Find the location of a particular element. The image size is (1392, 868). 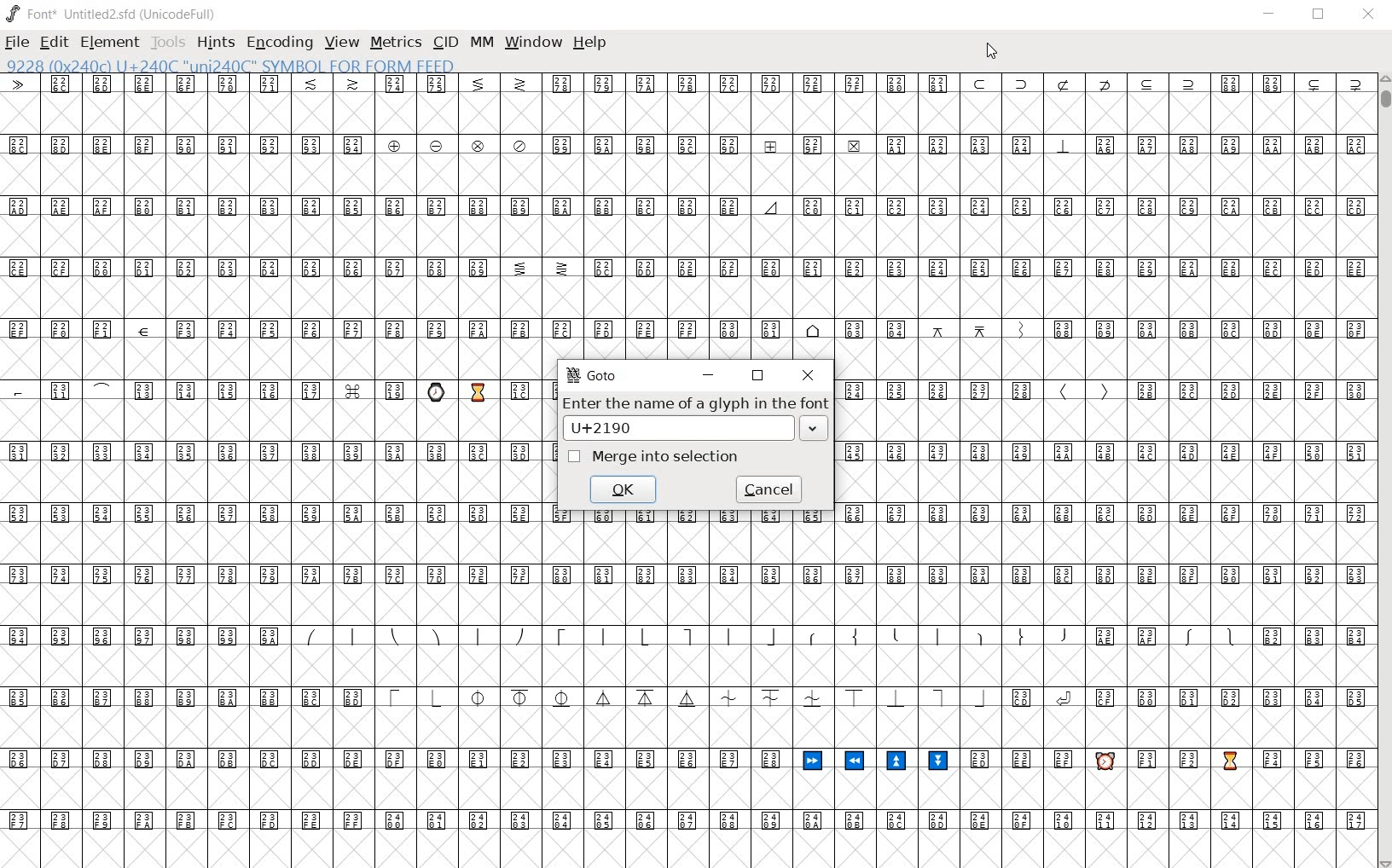

mm is located at coordinates (482, 42).